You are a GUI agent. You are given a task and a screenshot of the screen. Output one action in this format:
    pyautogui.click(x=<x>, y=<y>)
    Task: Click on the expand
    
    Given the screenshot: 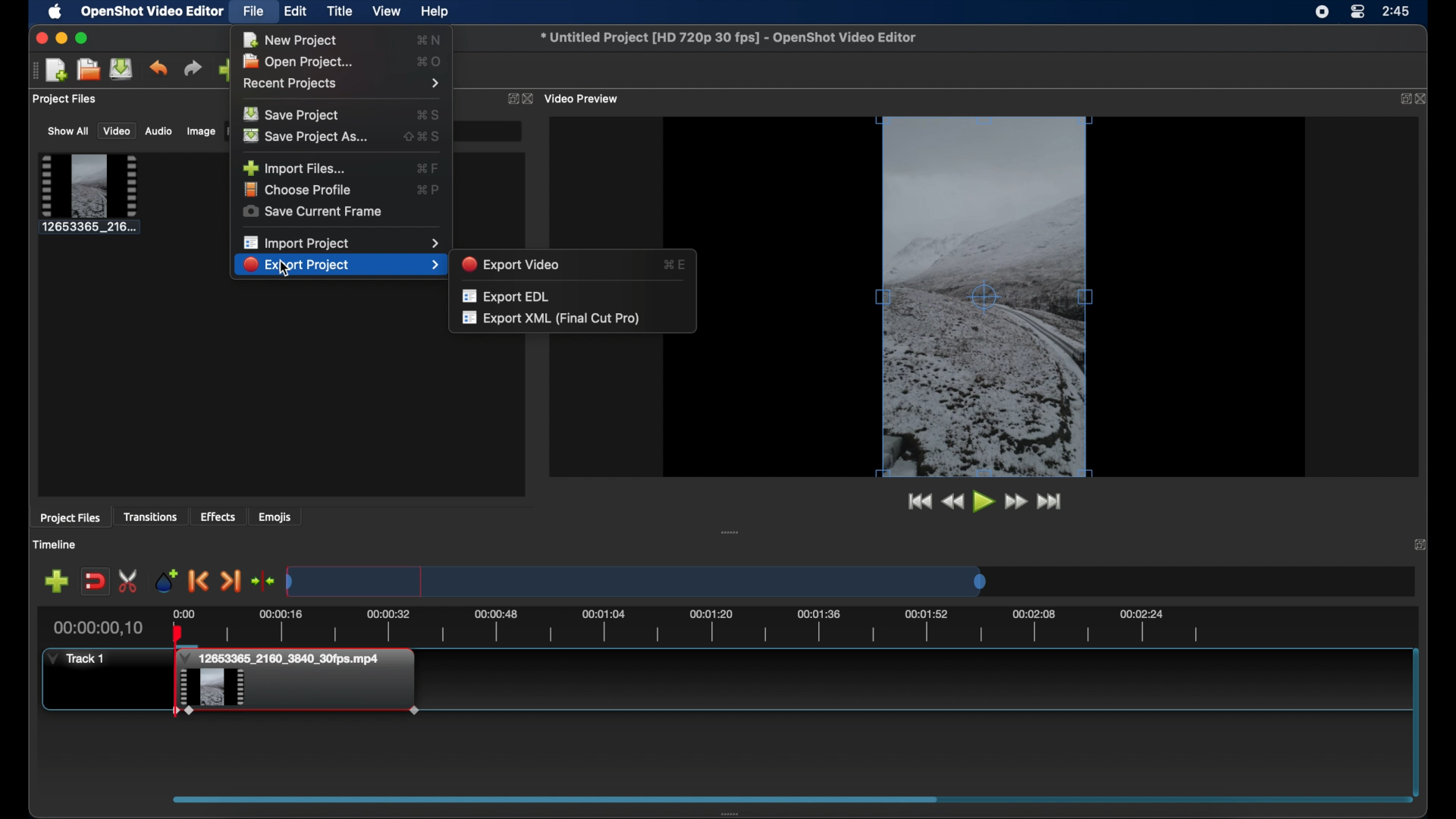 What is the action you would take?
    pyautogui.click(x=509, y=98)
    